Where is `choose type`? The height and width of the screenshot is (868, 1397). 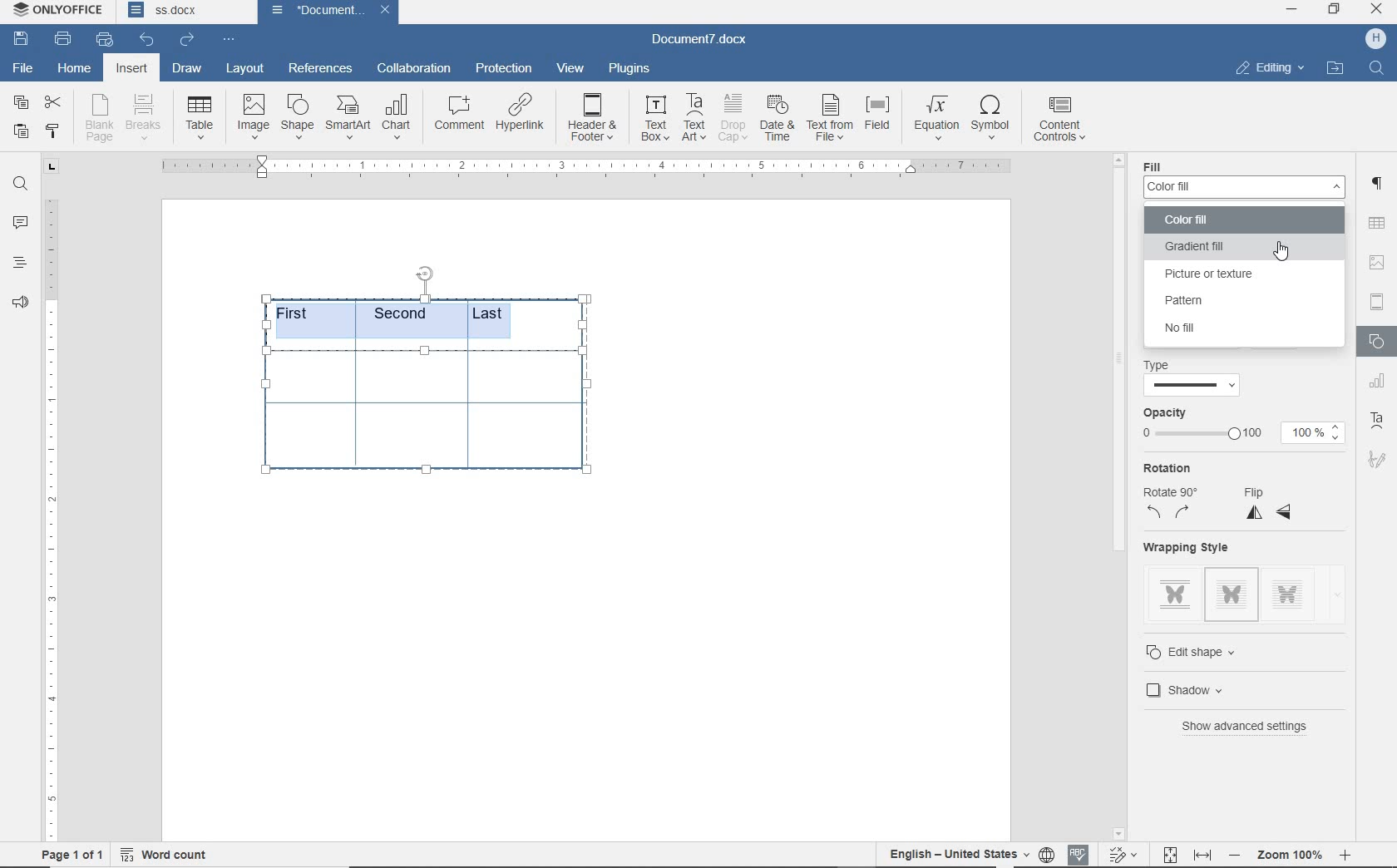
choose type is located at coordinates (1191, 385).